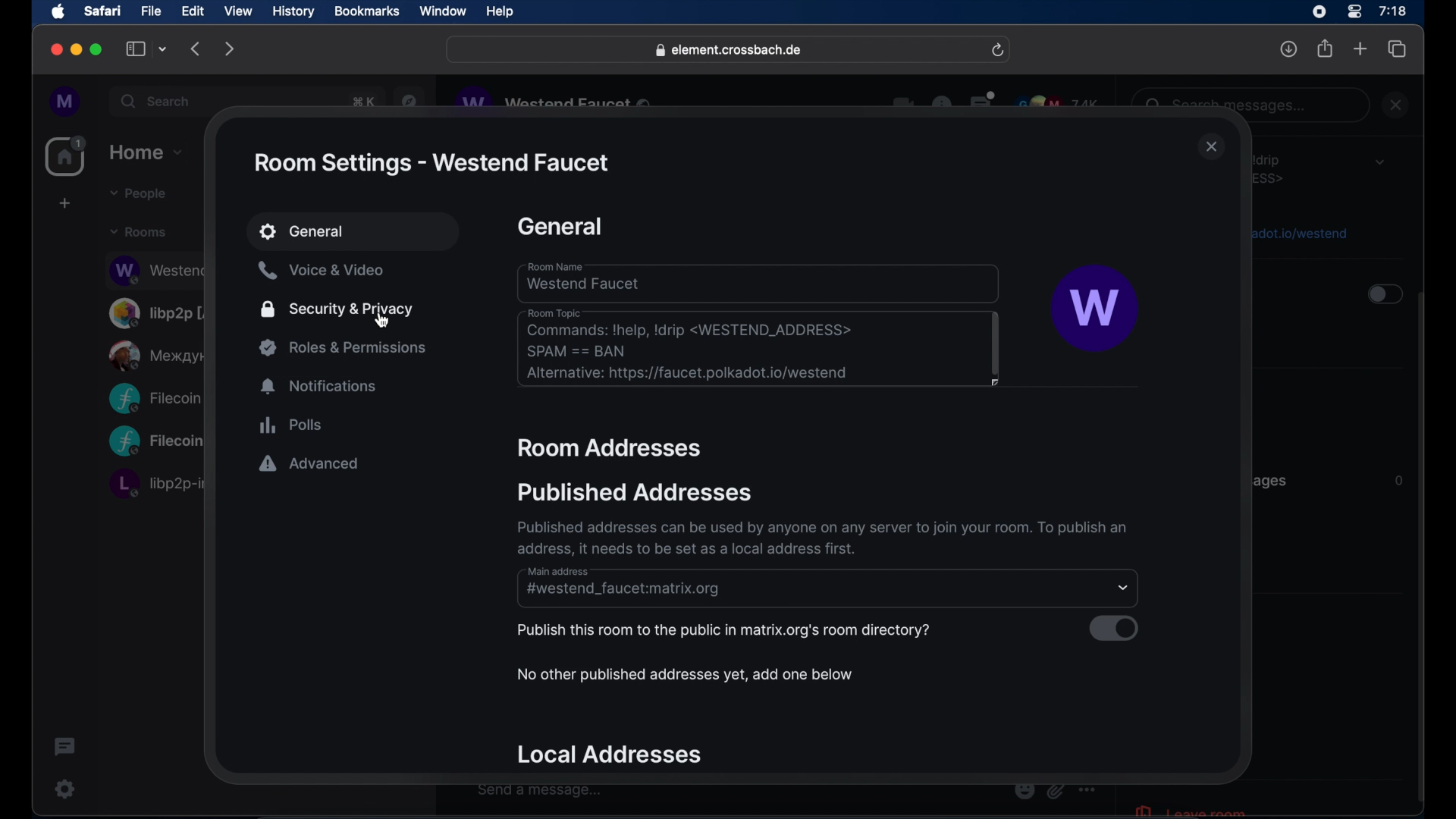 This screenshot has height=819, width=1456. What do you see at coordinates (320, 387) in the screenshot?
I see `notifications` at bounding box center [320, 387].